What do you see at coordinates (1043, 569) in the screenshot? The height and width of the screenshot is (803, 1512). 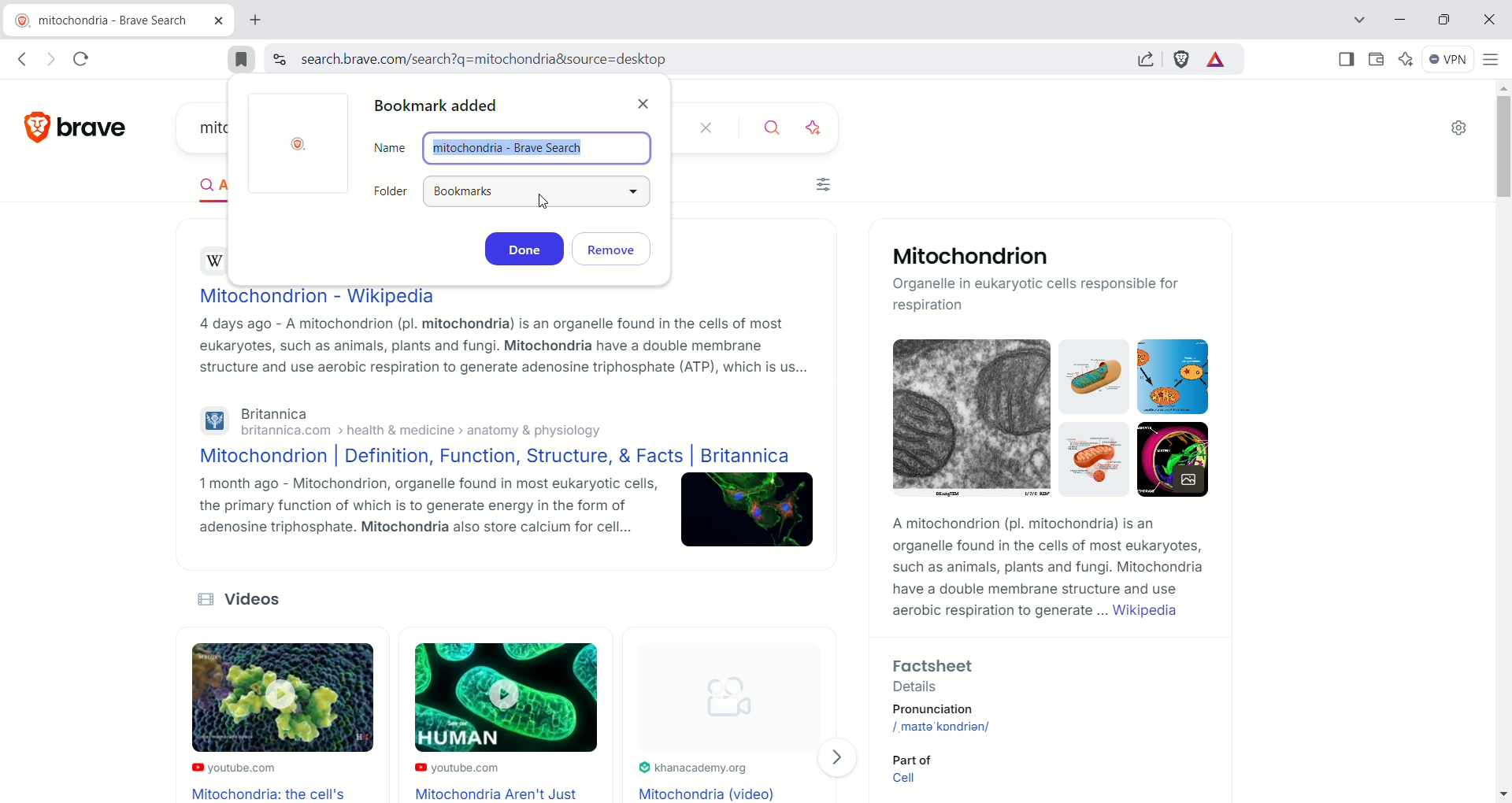 I see `A mitochondrion (pl. mitochondria) is an
organelle found in the cells of most eukaryotes,
such as animals, plants and fungi. Mitochondria
have a double membrane structure and use
aerobic respiration to generate ... Wikipedia` at bounding box center [1043, 569].